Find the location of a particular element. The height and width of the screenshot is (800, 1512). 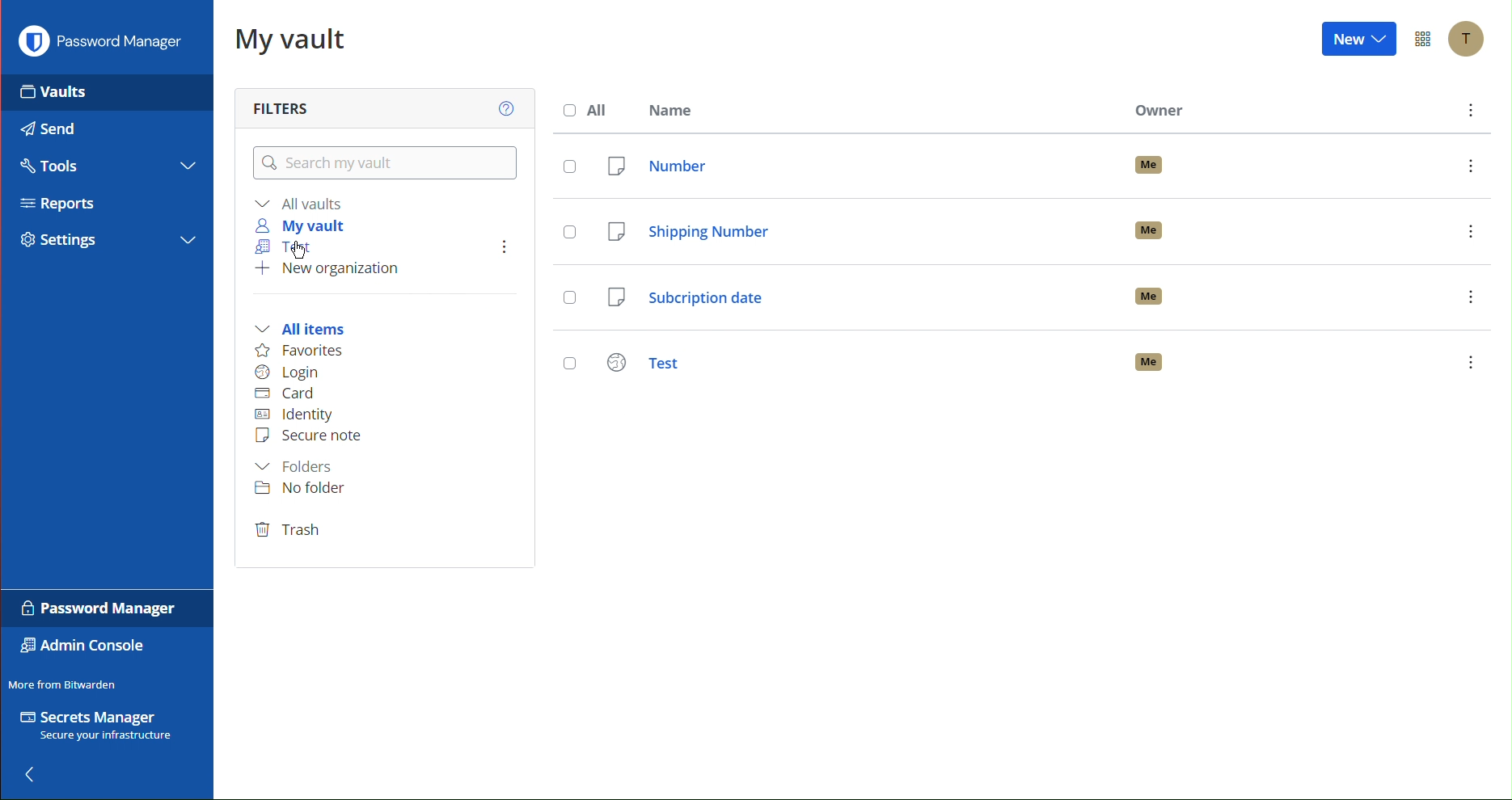

All vaults is located at coordinates (300, 204).